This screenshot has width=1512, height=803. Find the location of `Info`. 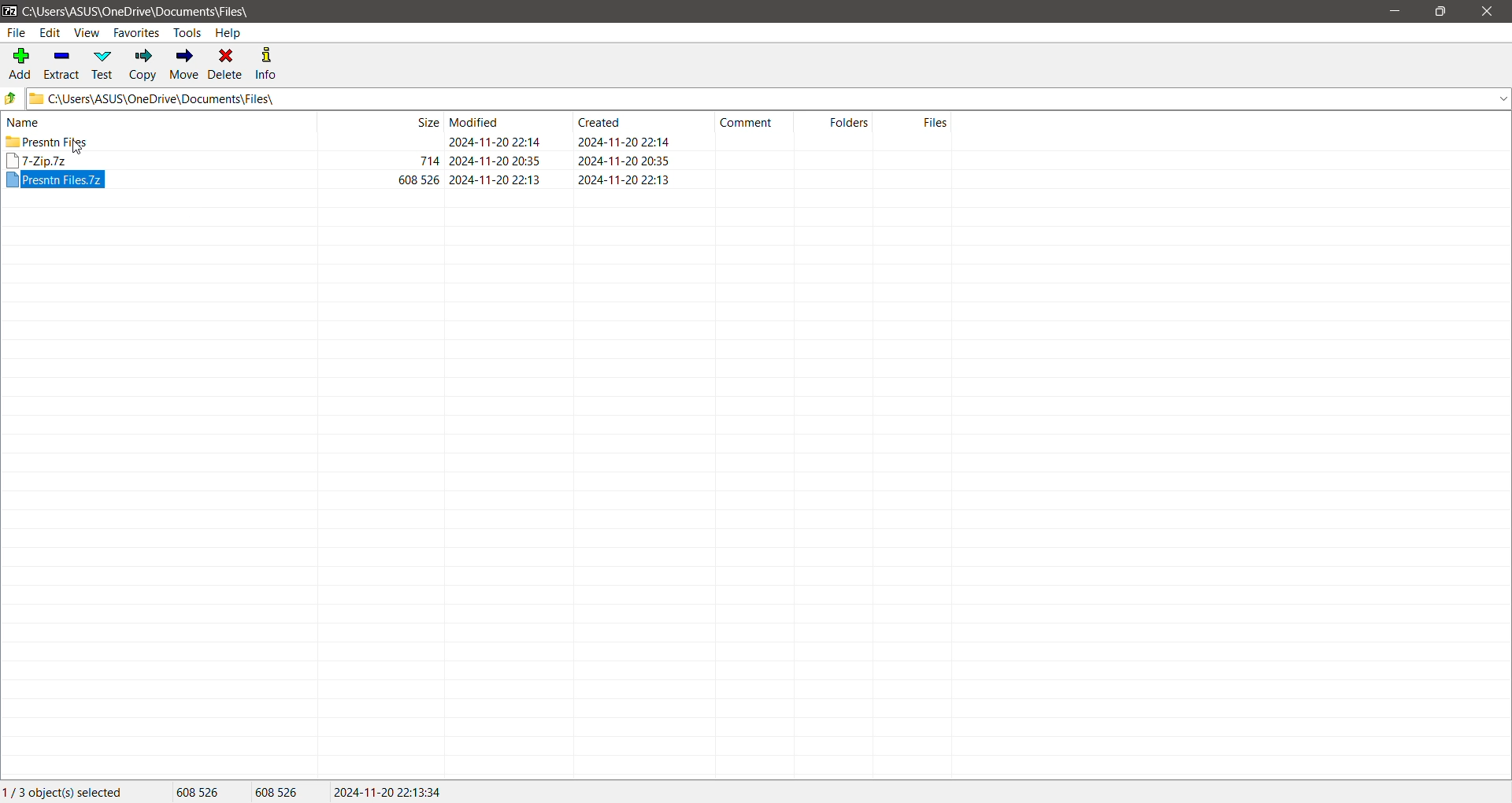

Info is located at coordinates (268, 64).